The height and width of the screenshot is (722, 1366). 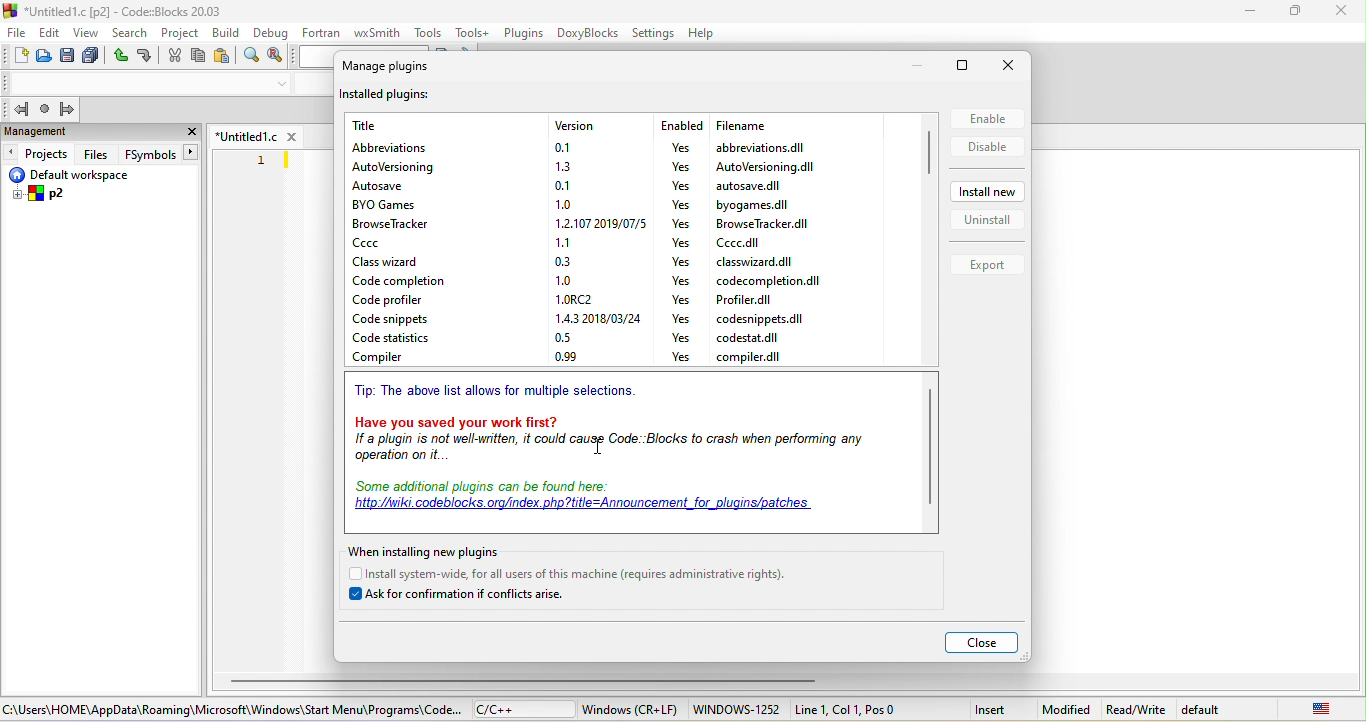 What do you see at coordinates (524, 678) in the screenshot?
I see `horizontal scroll bar` at bounding box center [524, 678].